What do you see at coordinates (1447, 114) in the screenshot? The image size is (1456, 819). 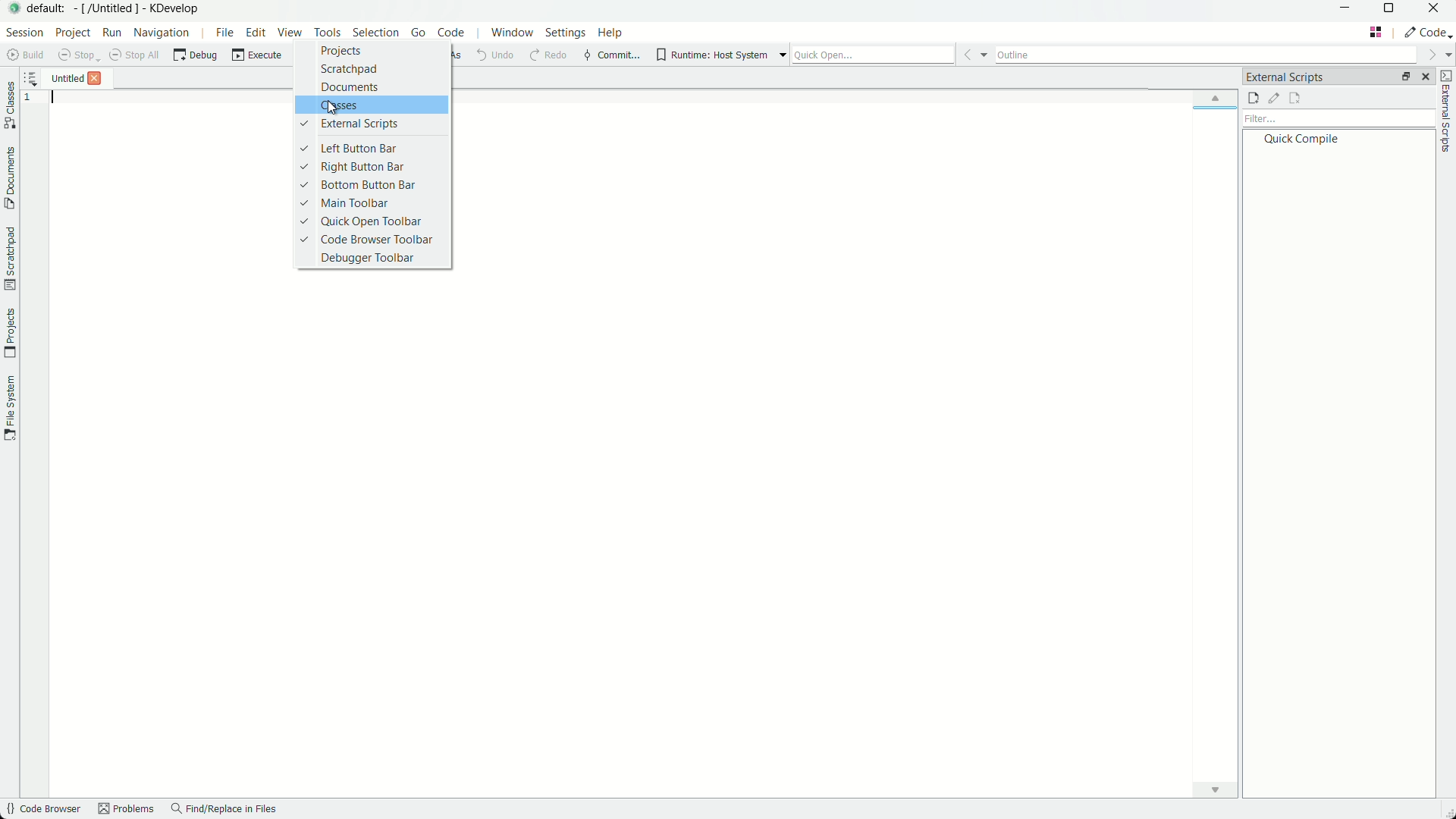 I see `toggle external scripts` at bounding box center [1447, 114].